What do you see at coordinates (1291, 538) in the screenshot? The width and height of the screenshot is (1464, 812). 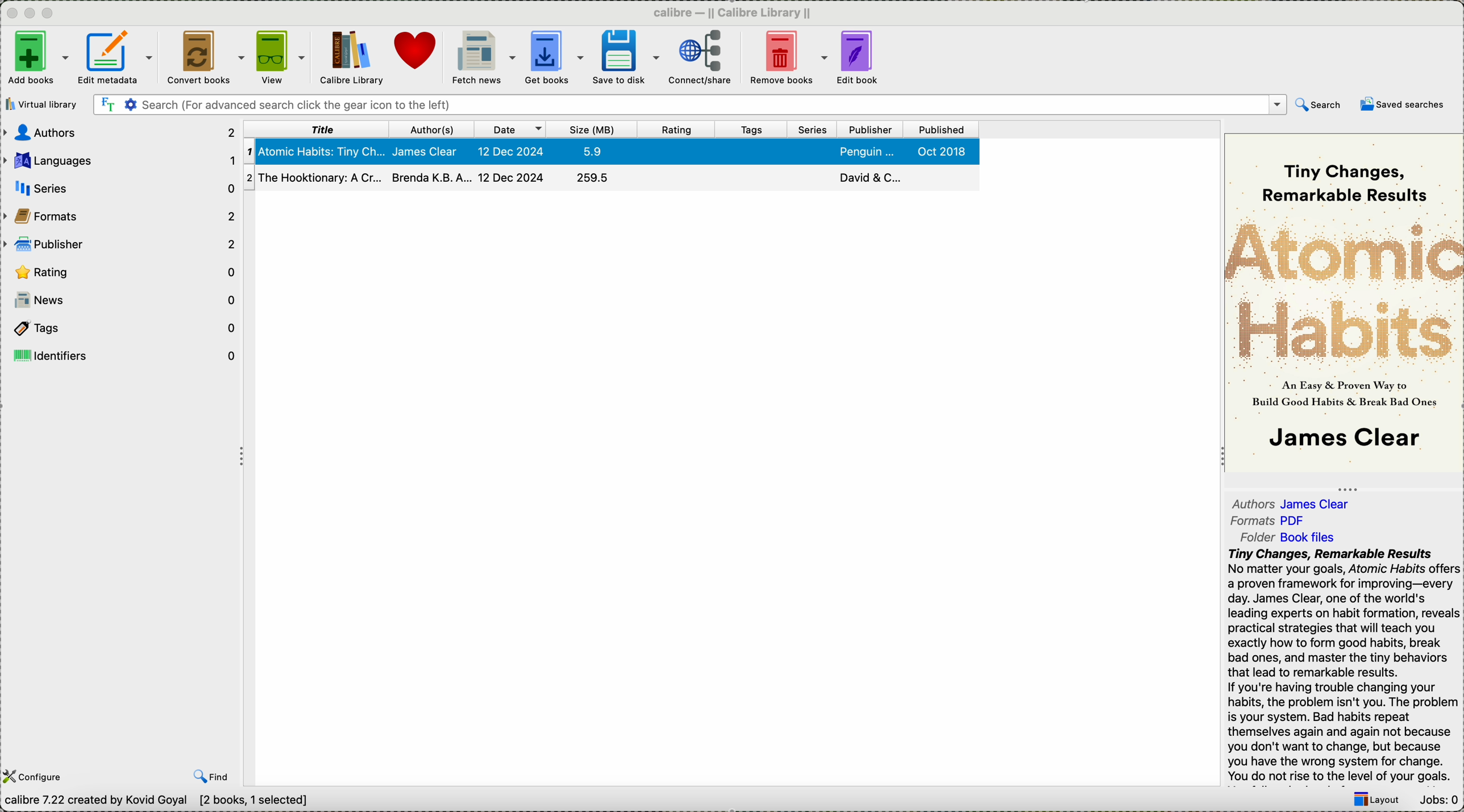 I see `folder` at bounding box center [1291, 538].